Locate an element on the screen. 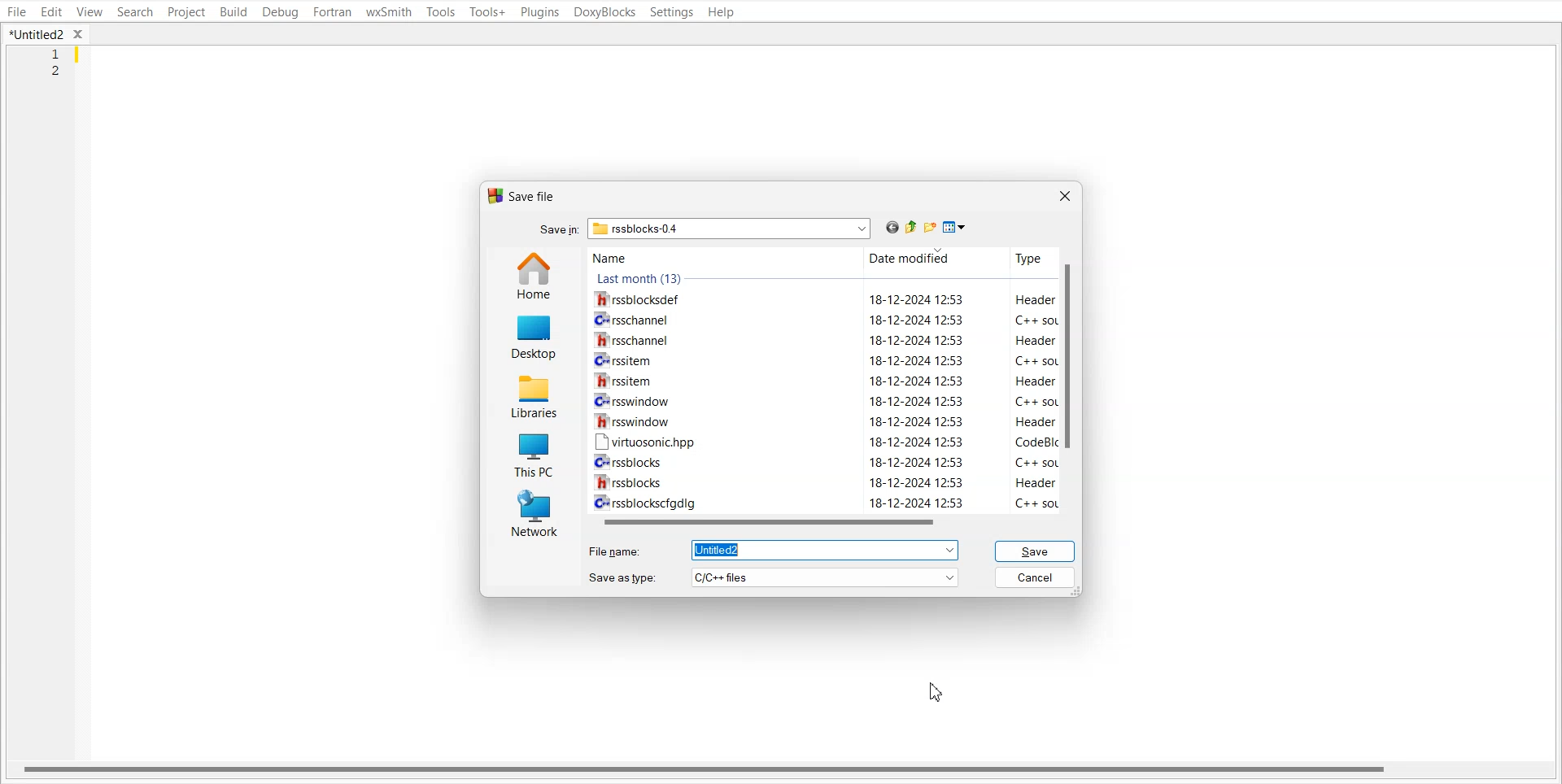 The image size is (1562, 784). Folder is located at coordinates (47, 33).